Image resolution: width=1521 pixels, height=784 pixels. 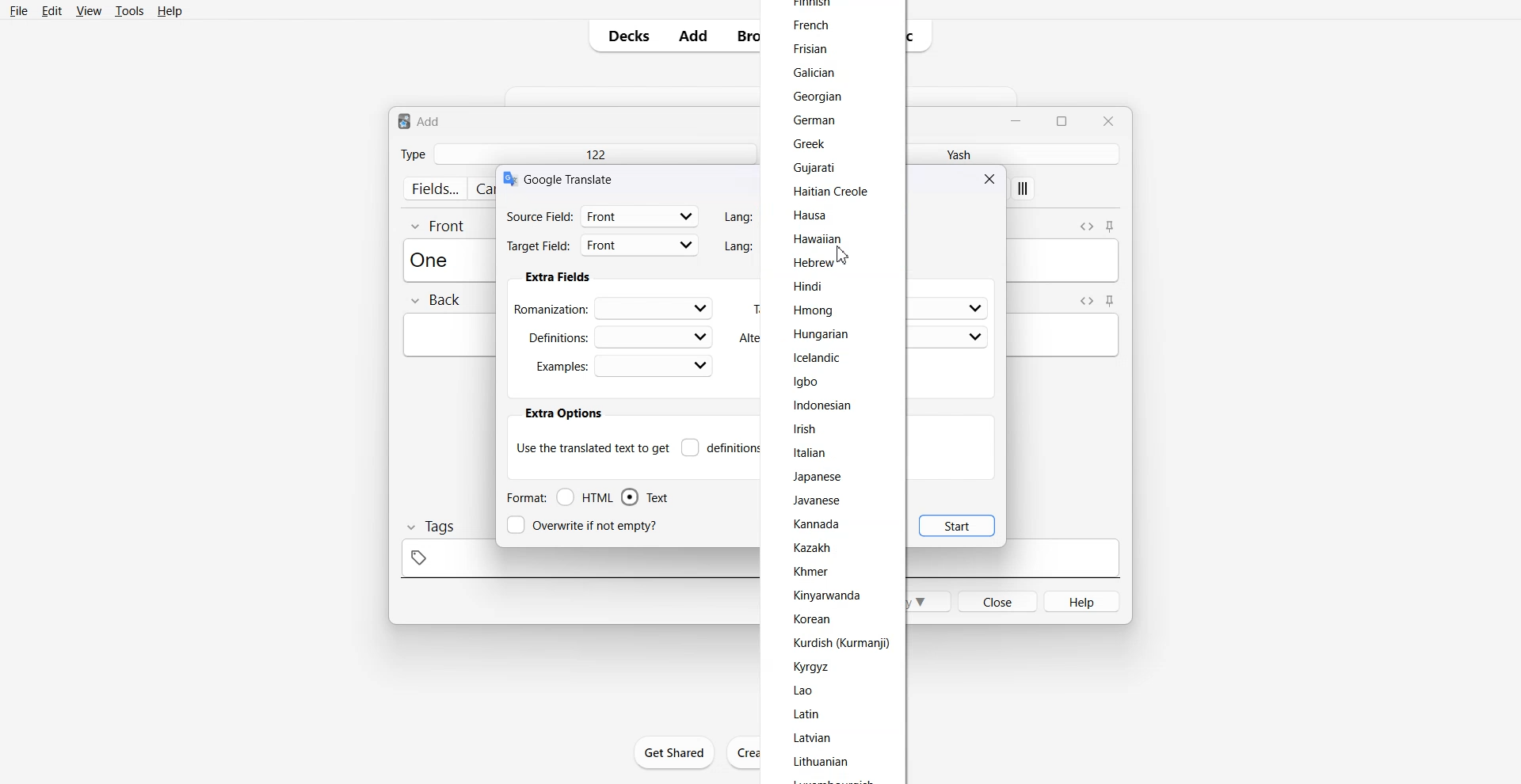 I want to click on Tools, so click(x=129, y=10).